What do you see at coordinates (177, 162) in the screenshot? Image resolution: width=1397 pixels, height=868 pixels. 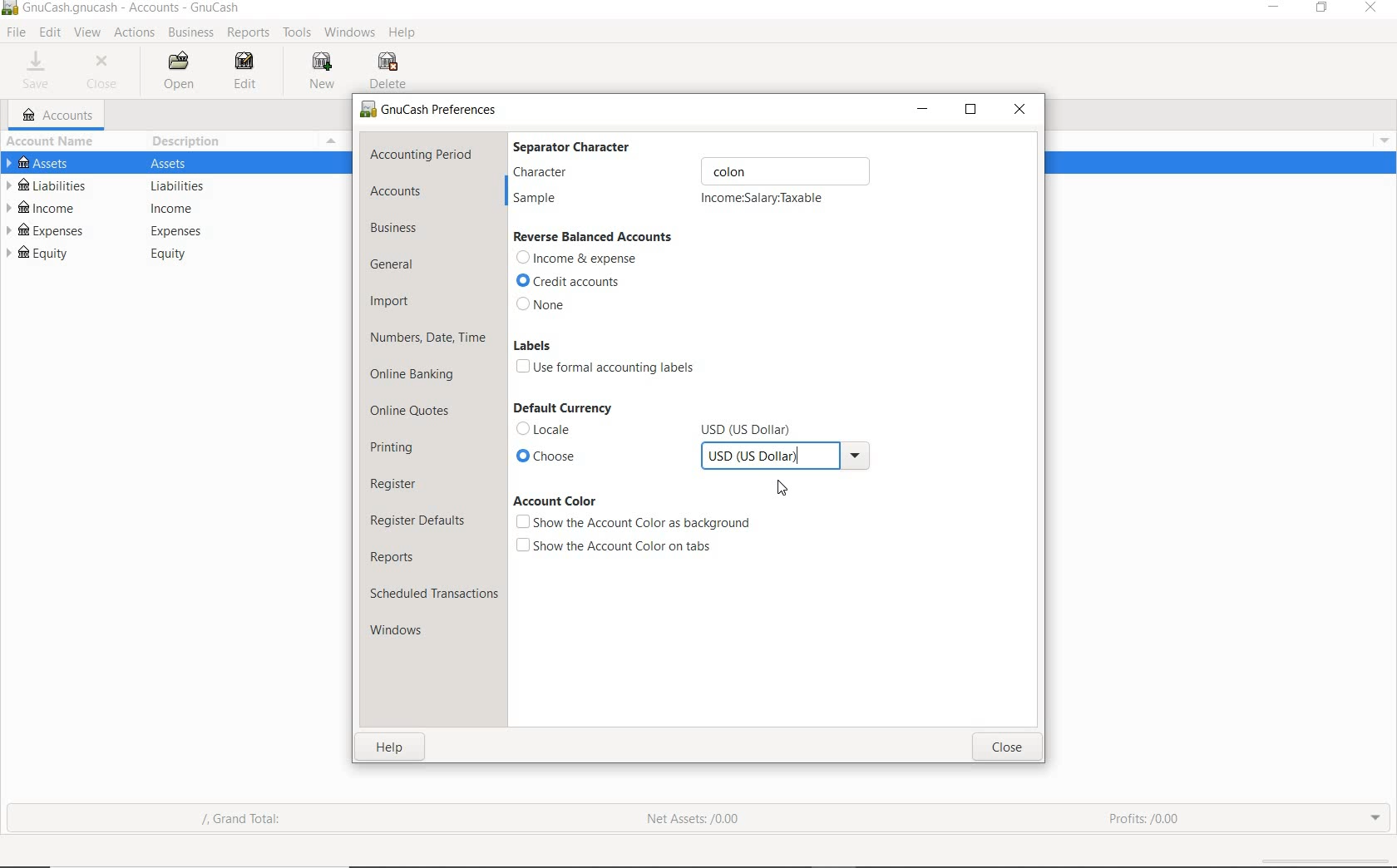 I see `` at bounding box center [177, 162].